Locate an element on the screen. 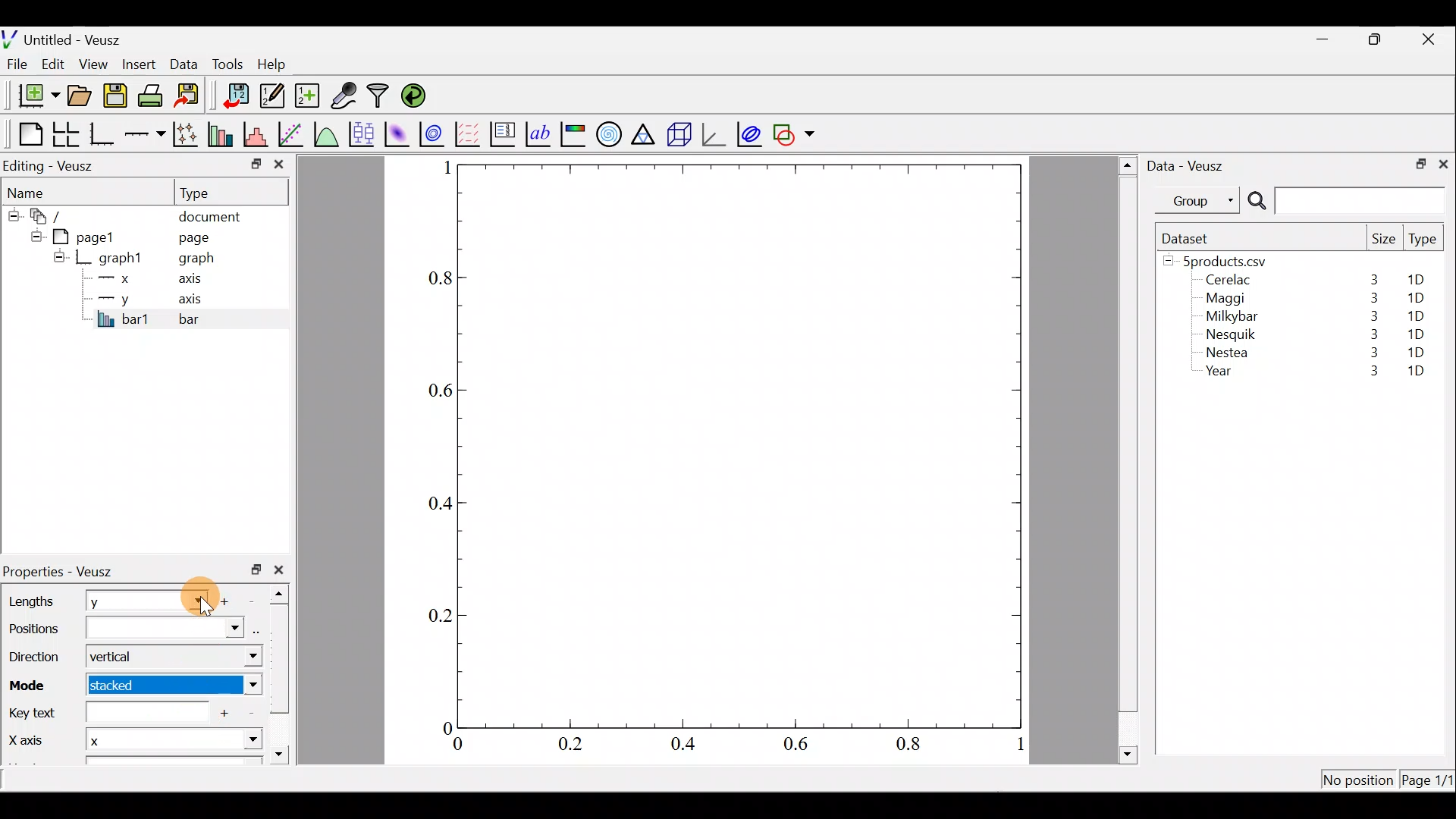 The width and height of the screenshot is (1456, 819). restore down is located at coordinates (256, 570).